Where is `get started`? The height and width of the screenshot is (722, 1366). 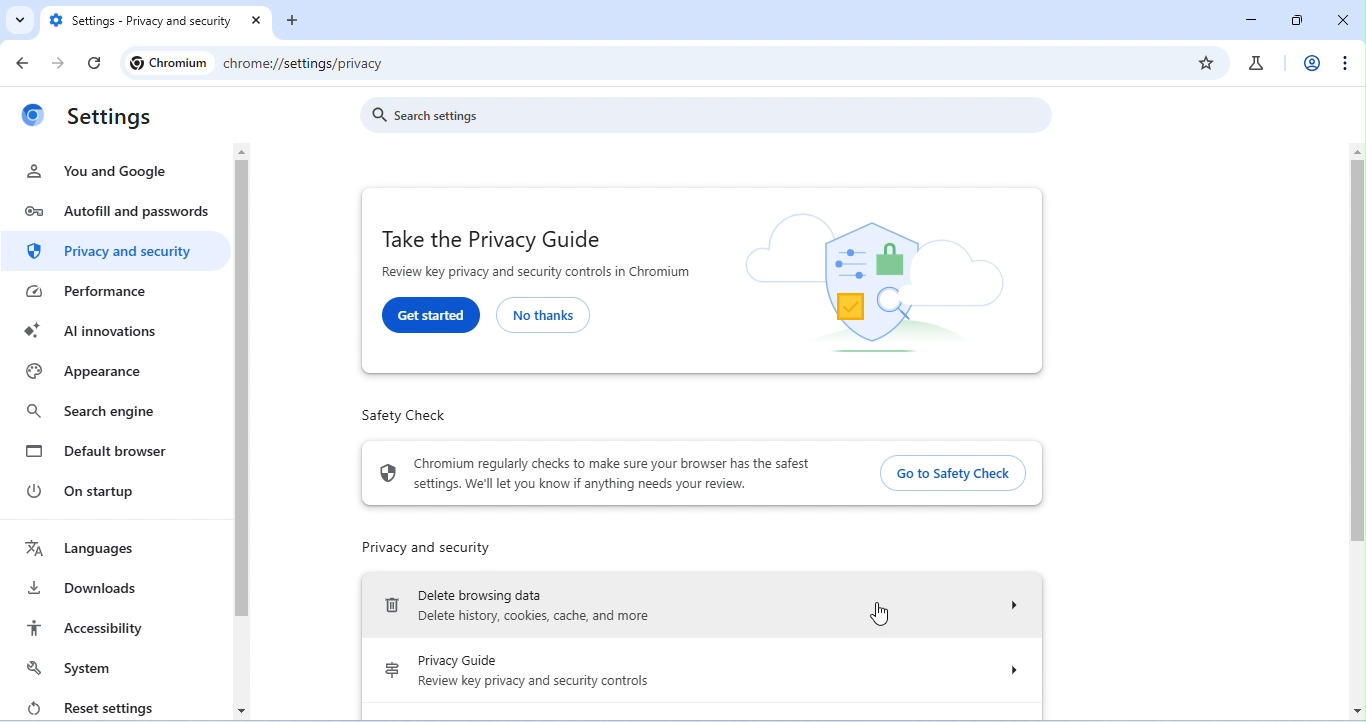 get started is located at coordinates (432, 315).